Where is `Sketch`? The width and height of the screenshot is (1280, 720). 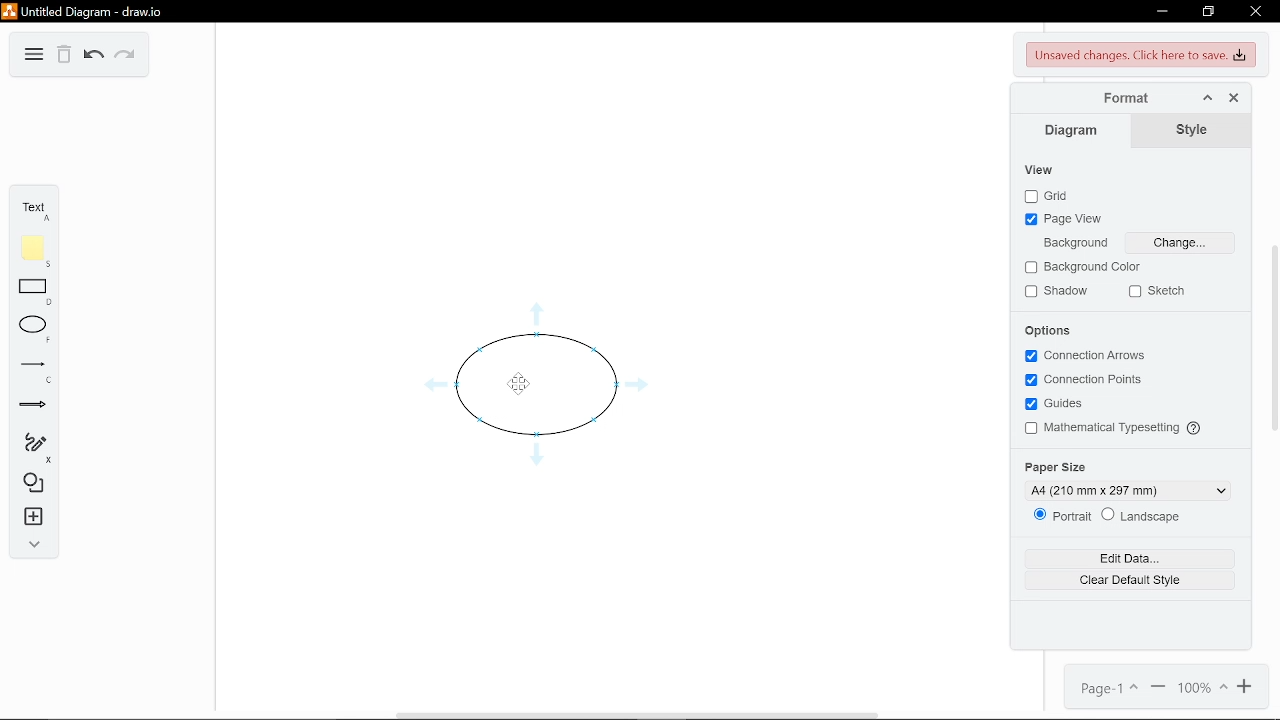
Sketch is located at coordinates (1165, 292).